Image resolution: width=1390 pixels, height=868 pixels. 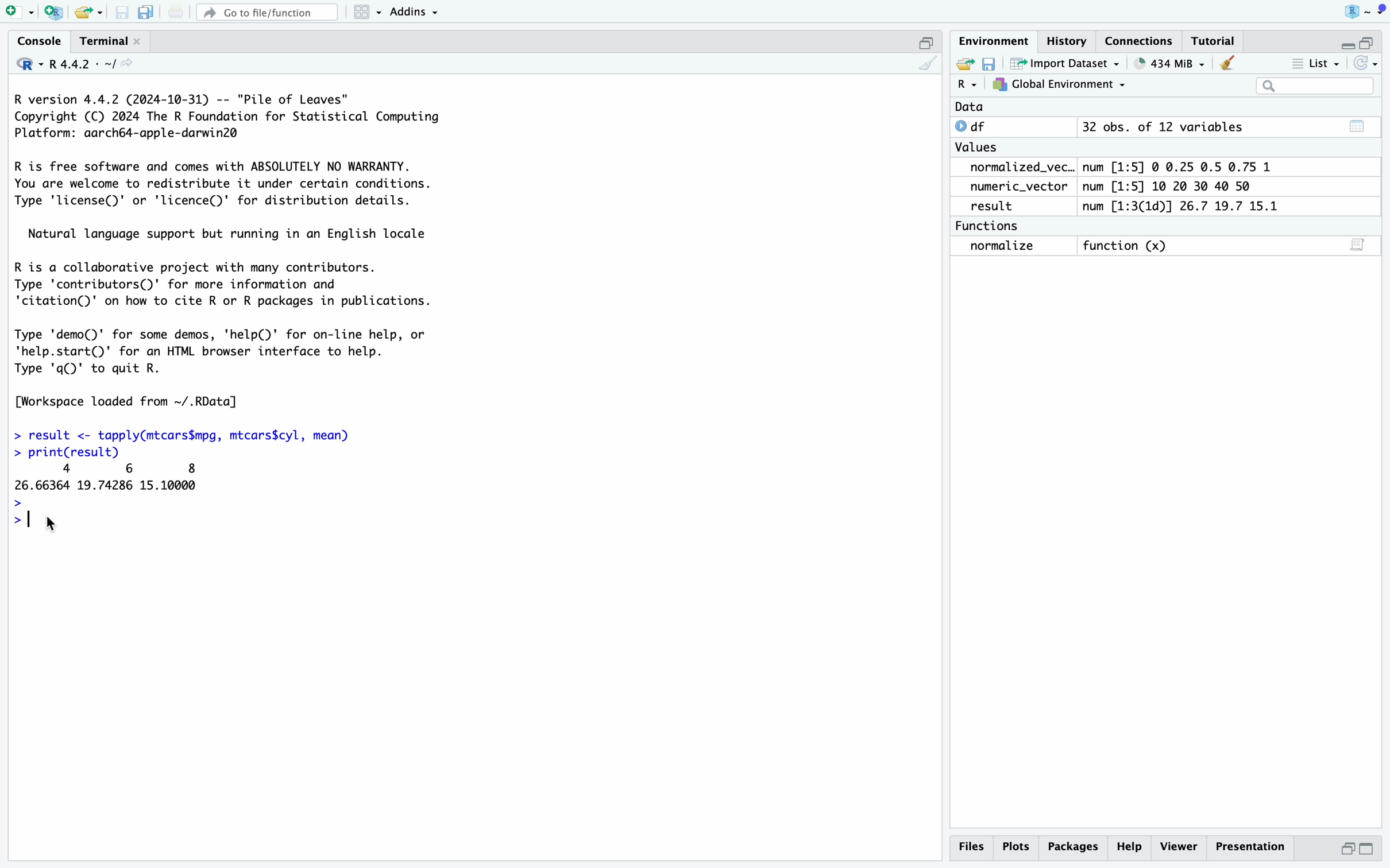 What do you see at coordinates (174, 12) in the screenshot?
I see `Print` at bounding box center [174, 12].